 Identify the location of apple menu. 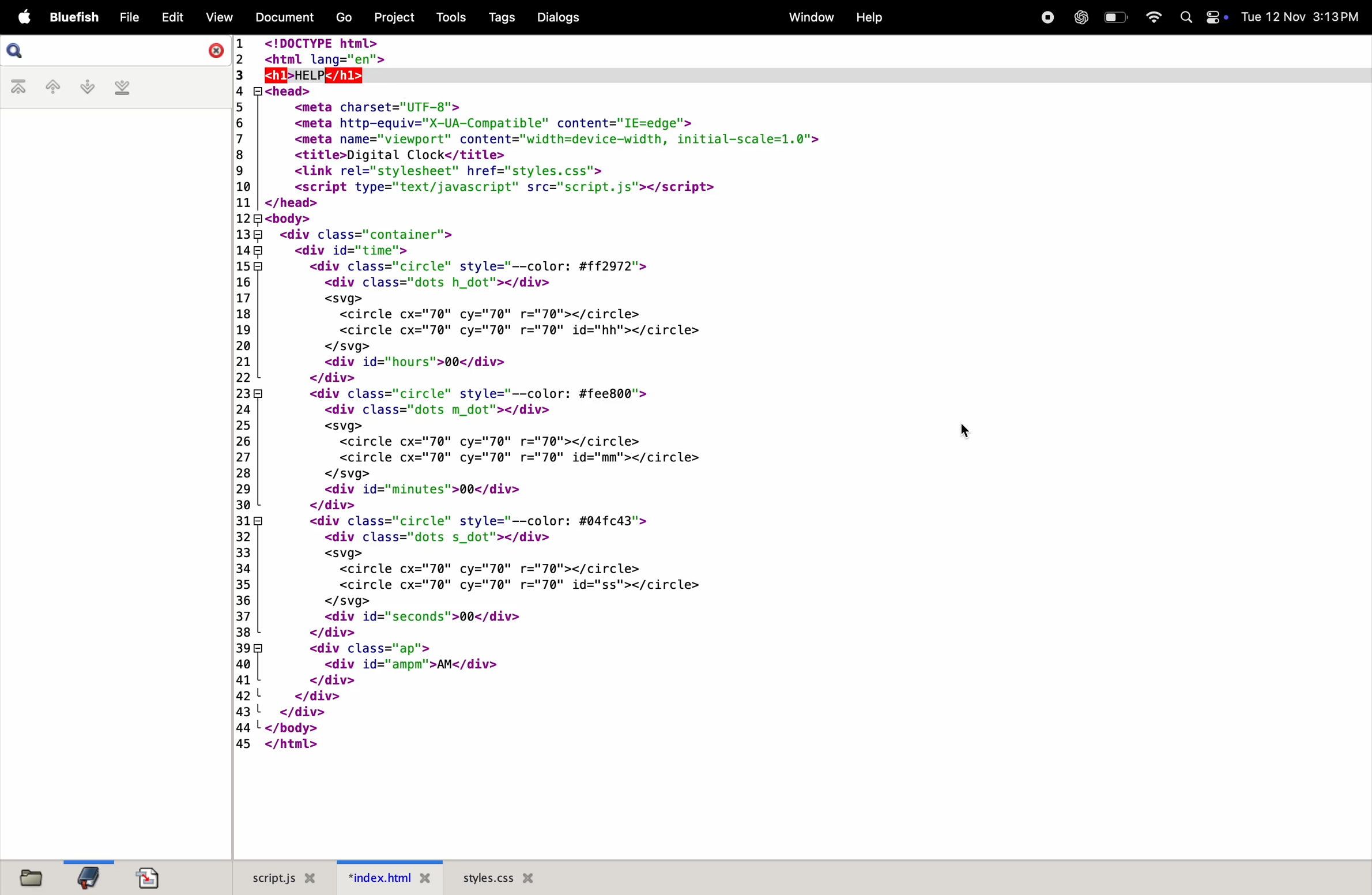
(22, 18).